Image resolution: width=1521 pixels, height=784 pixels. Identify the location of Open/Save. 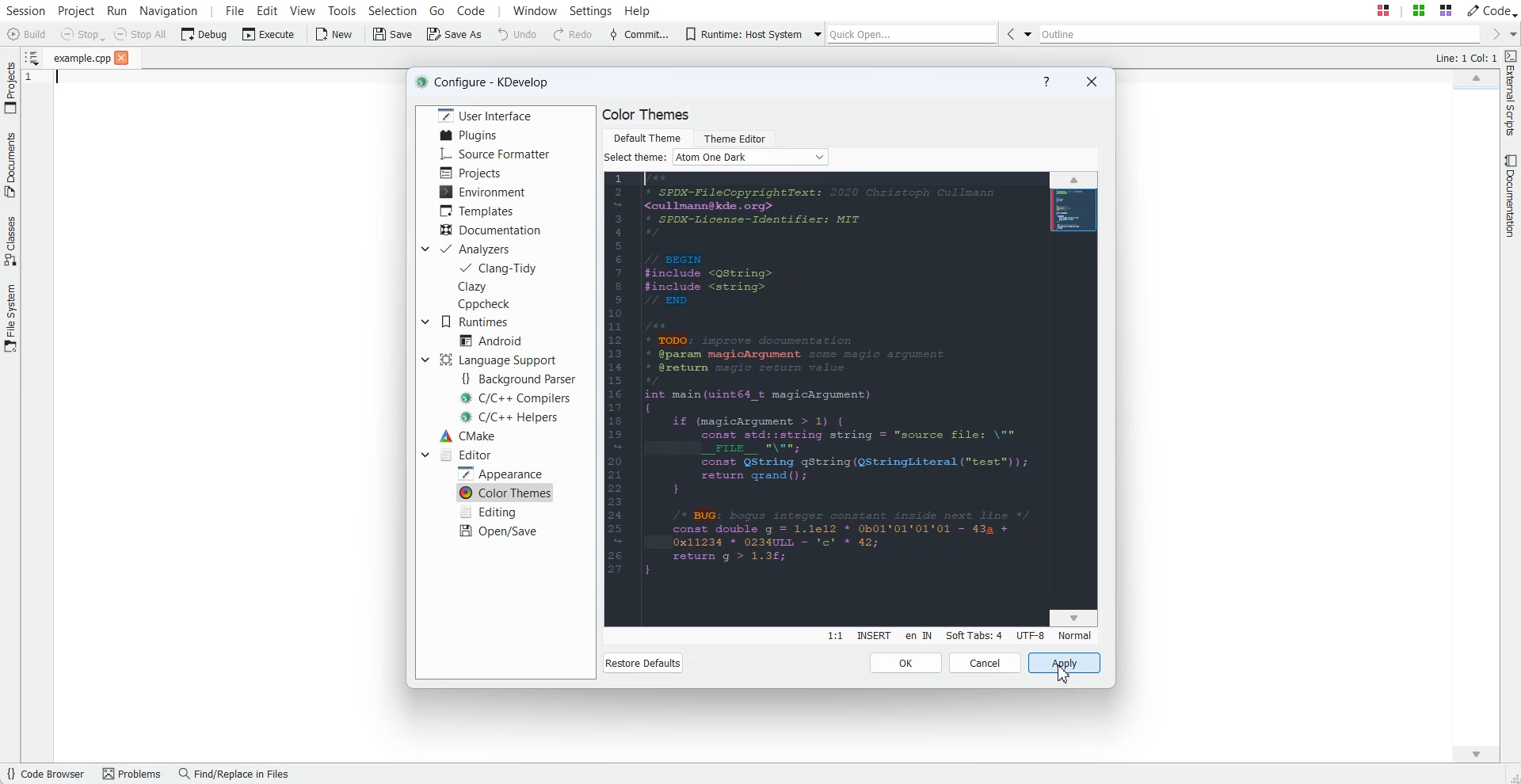
(499, 531).